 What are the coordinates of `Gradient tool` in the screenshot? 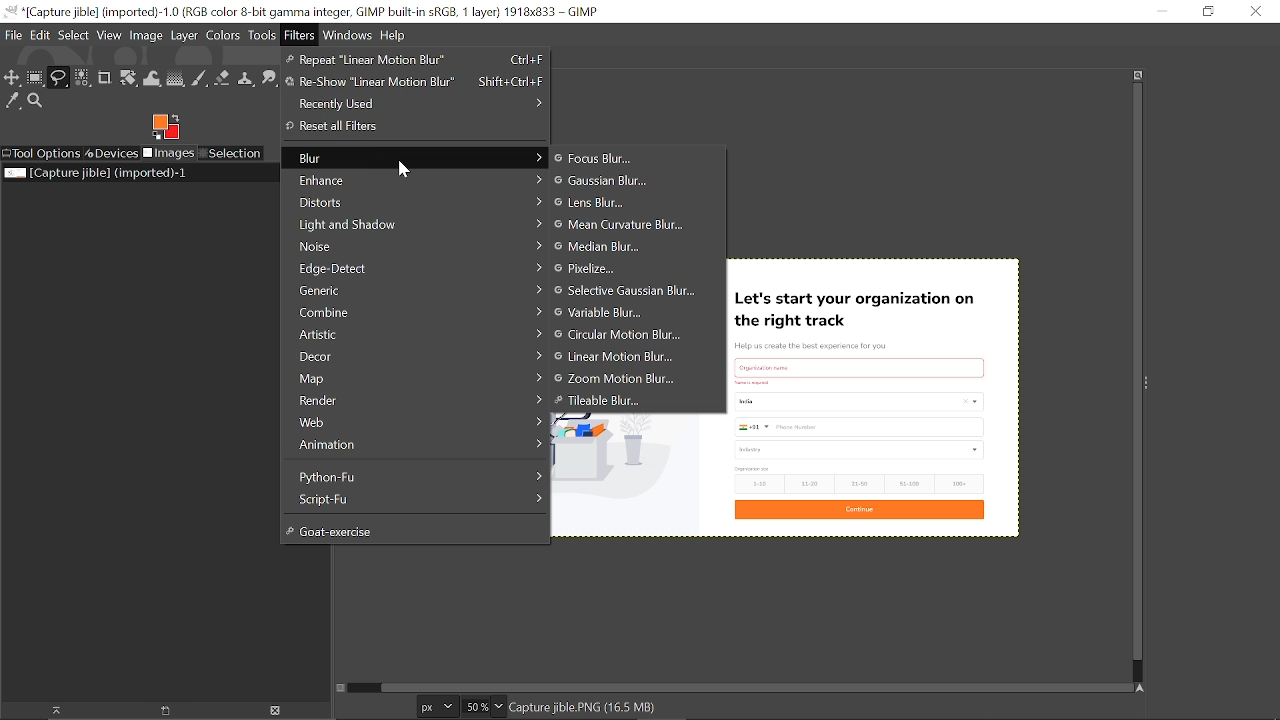 It's located at (176, 78).